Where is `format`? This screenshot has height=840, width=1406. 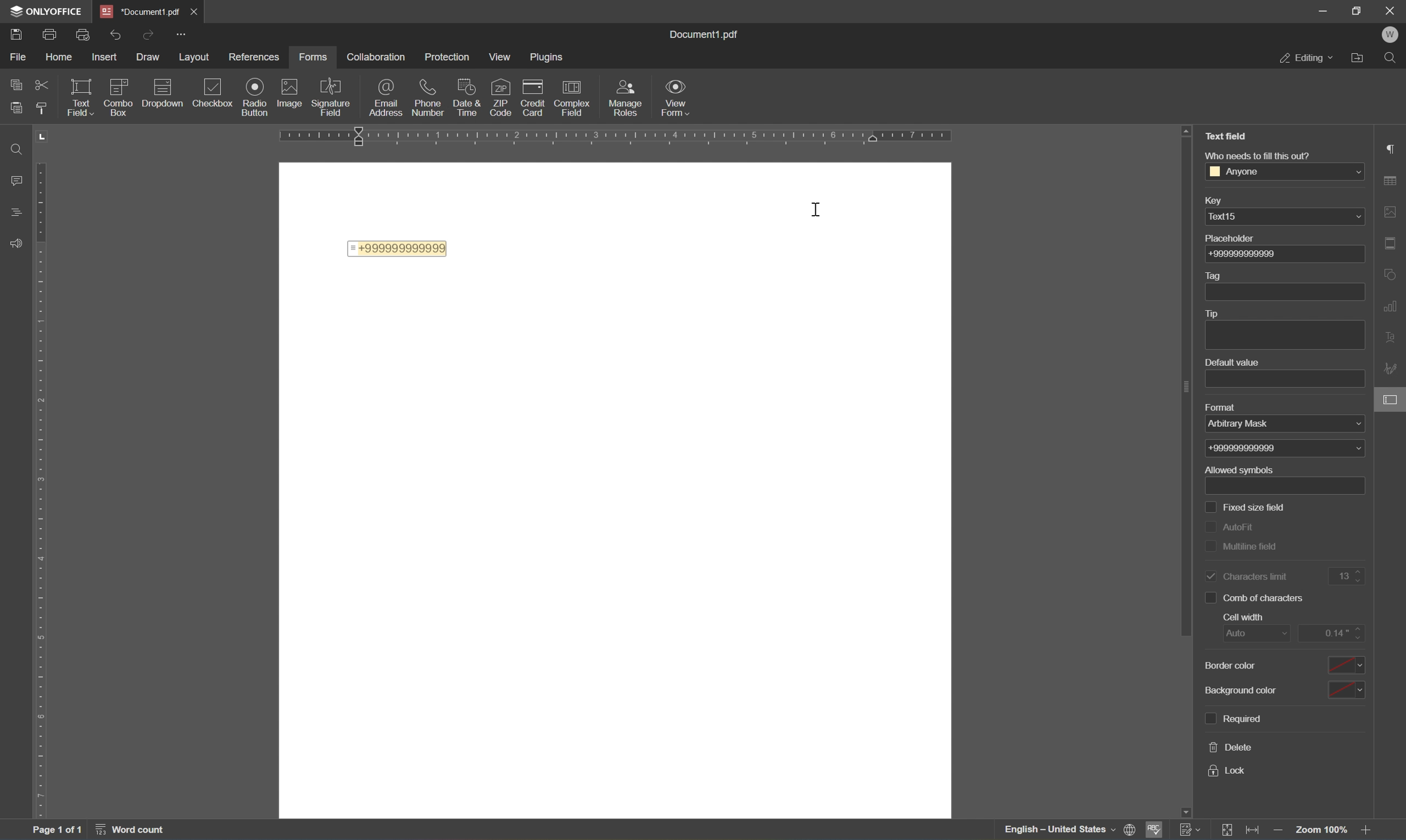
format is located at coordinates (1229, 408).